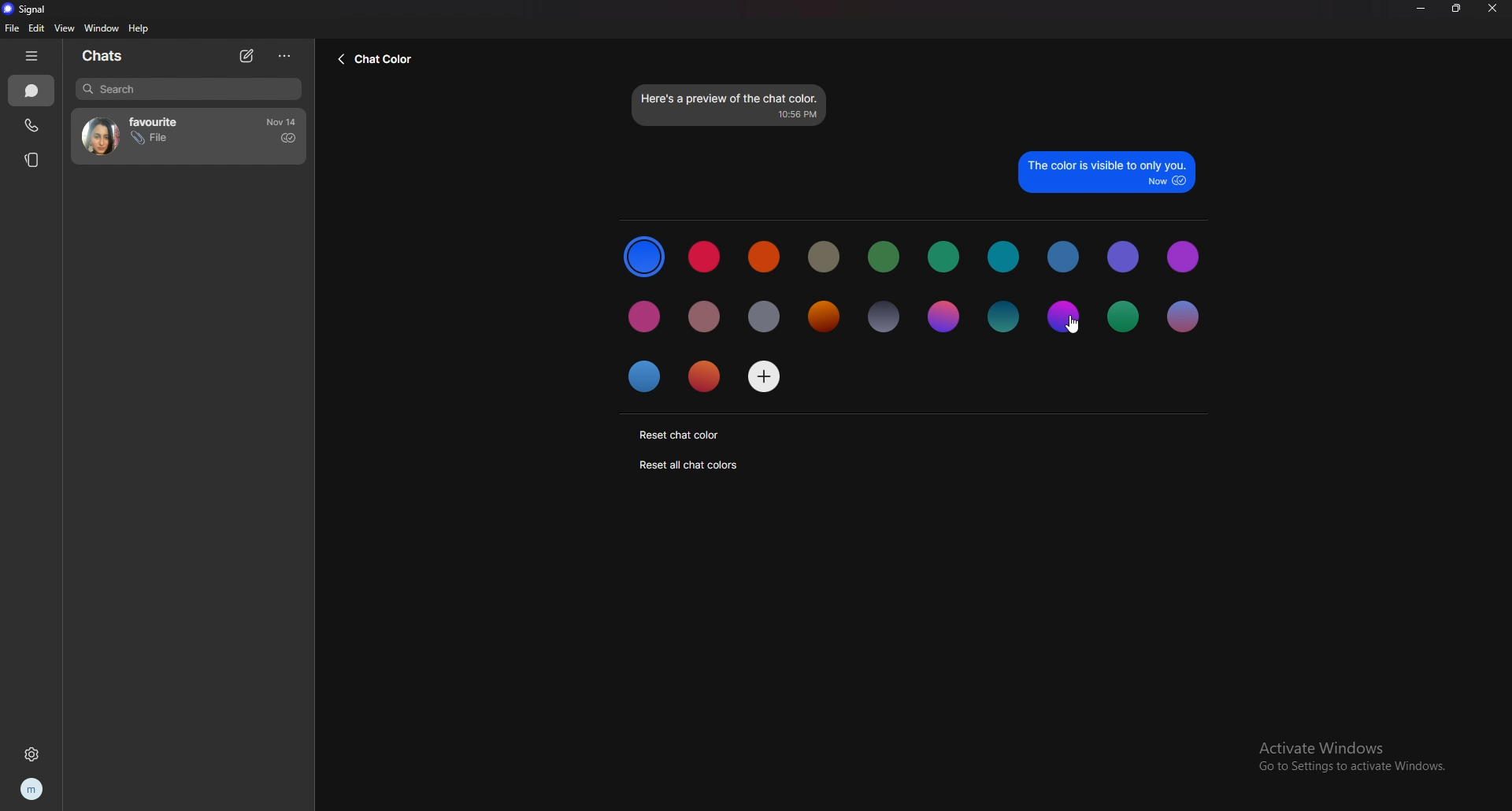  I want to click on window, so click(102, 28).